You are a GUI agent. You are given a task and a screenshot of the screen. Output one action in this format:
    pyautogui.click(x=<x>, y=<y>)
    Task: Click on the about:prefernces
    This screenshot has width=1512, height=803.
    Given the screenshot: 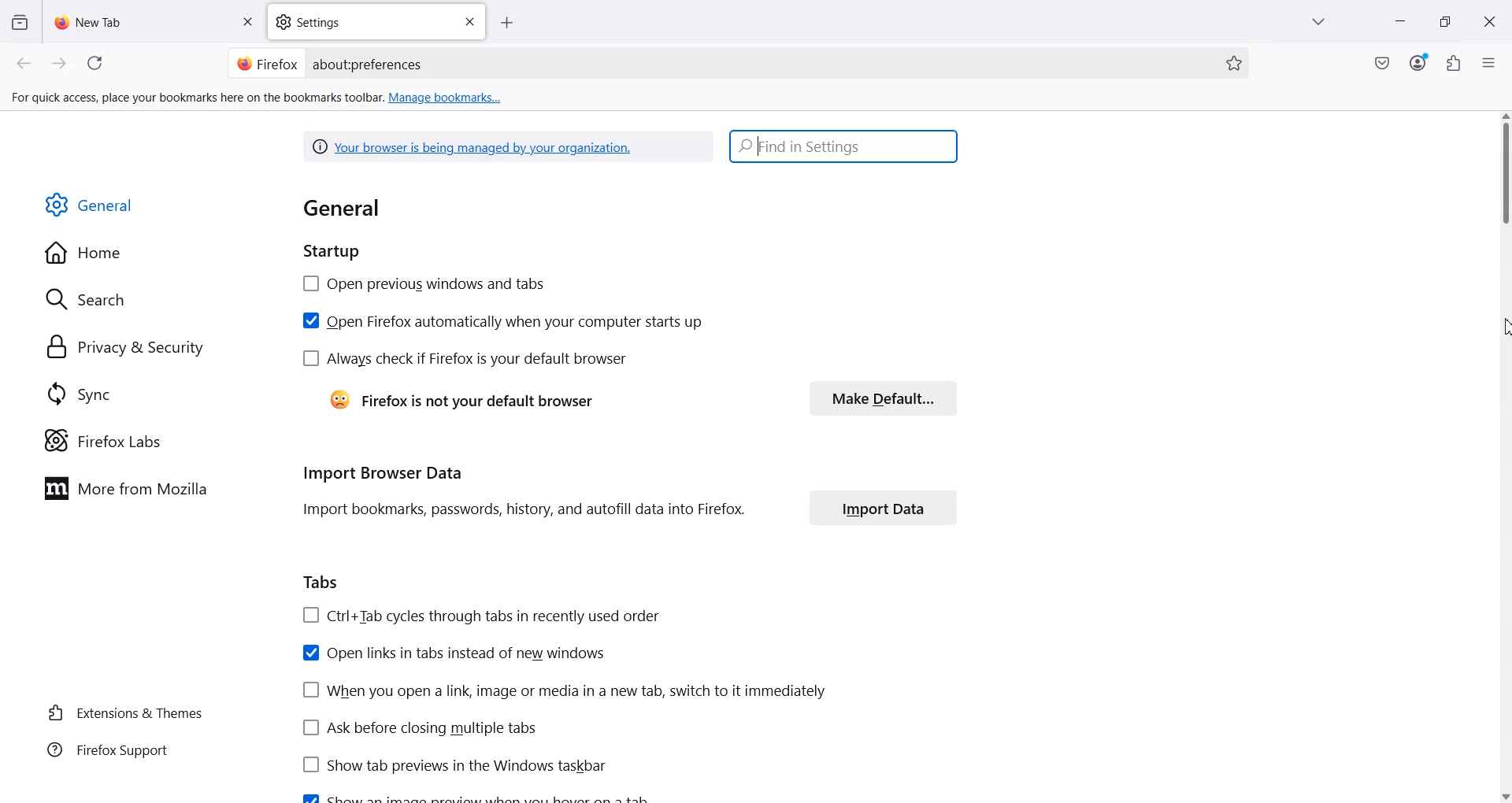 What is the action you would take?
    pyautogui.click(x=369, y=65)
    